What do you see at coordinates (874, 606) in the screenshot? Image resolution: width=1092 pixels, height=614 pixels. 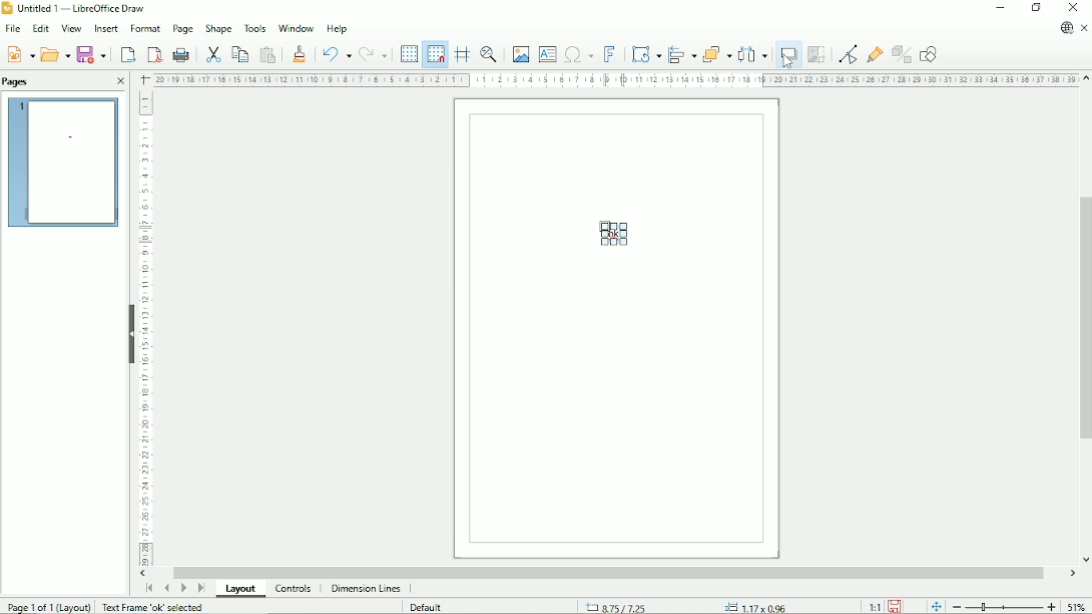 I see `Scaling factor` at bounding box center [874, 606].